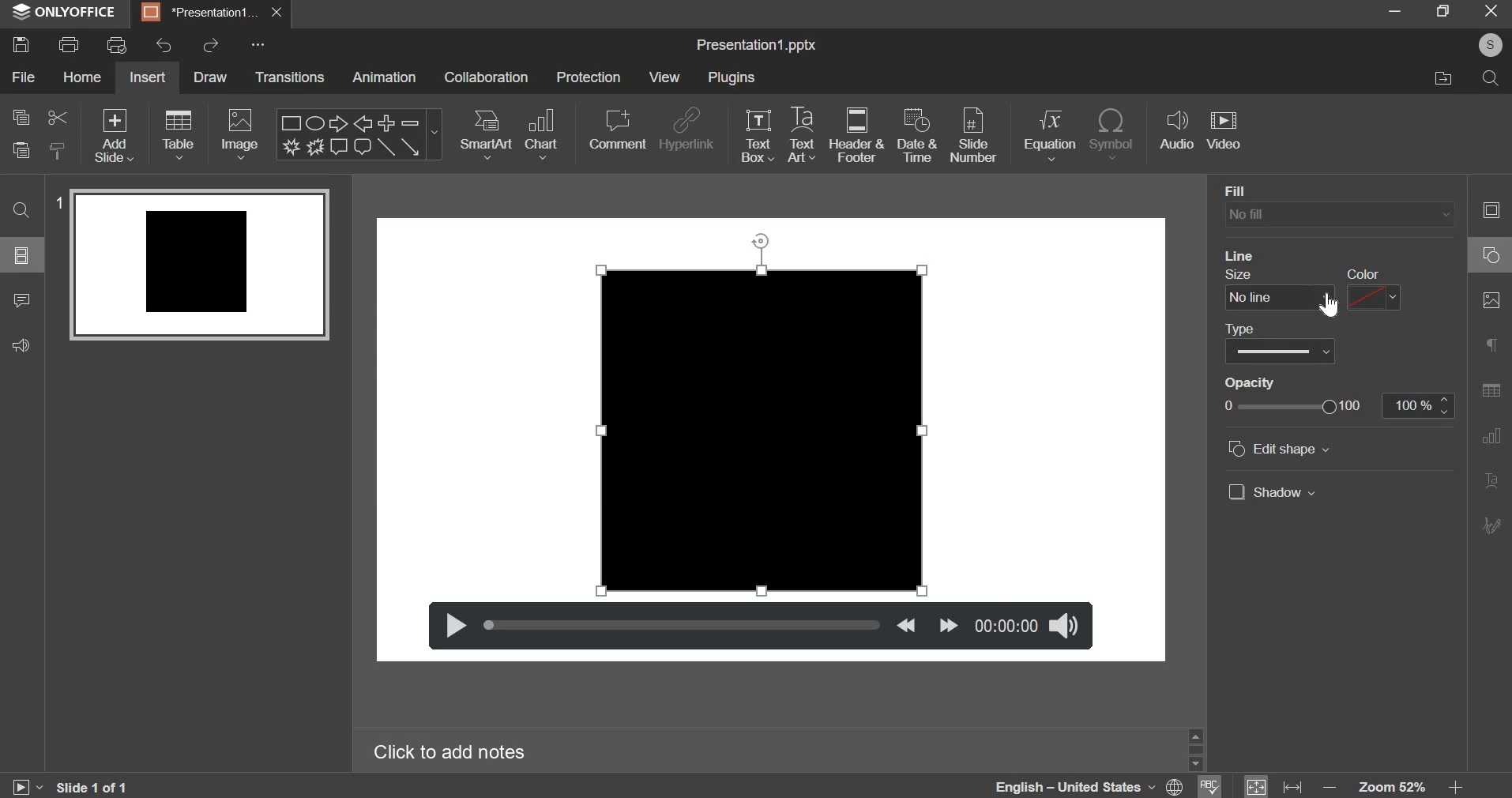 This screenshot has height=798, width=1512. I want to click on exit, so click(1489, 13).